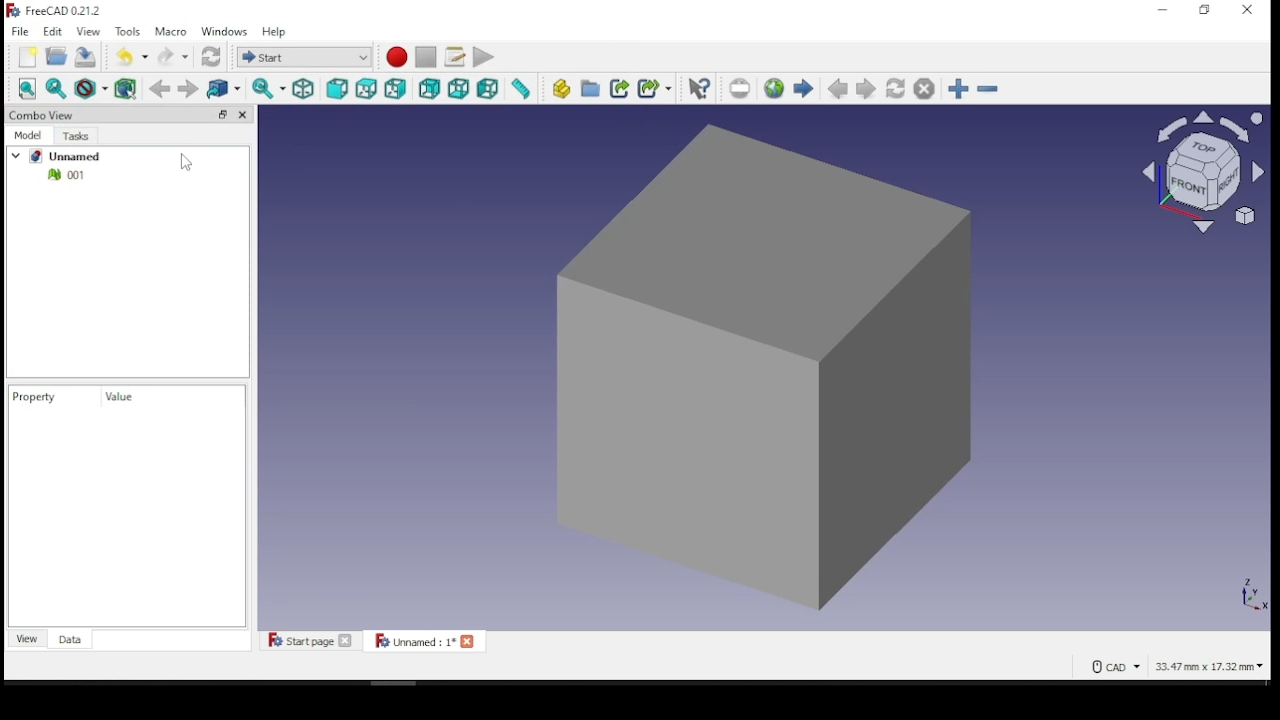 The width and height of the screenshot is (1280, 720). I want to click on right, so click(397, 87).